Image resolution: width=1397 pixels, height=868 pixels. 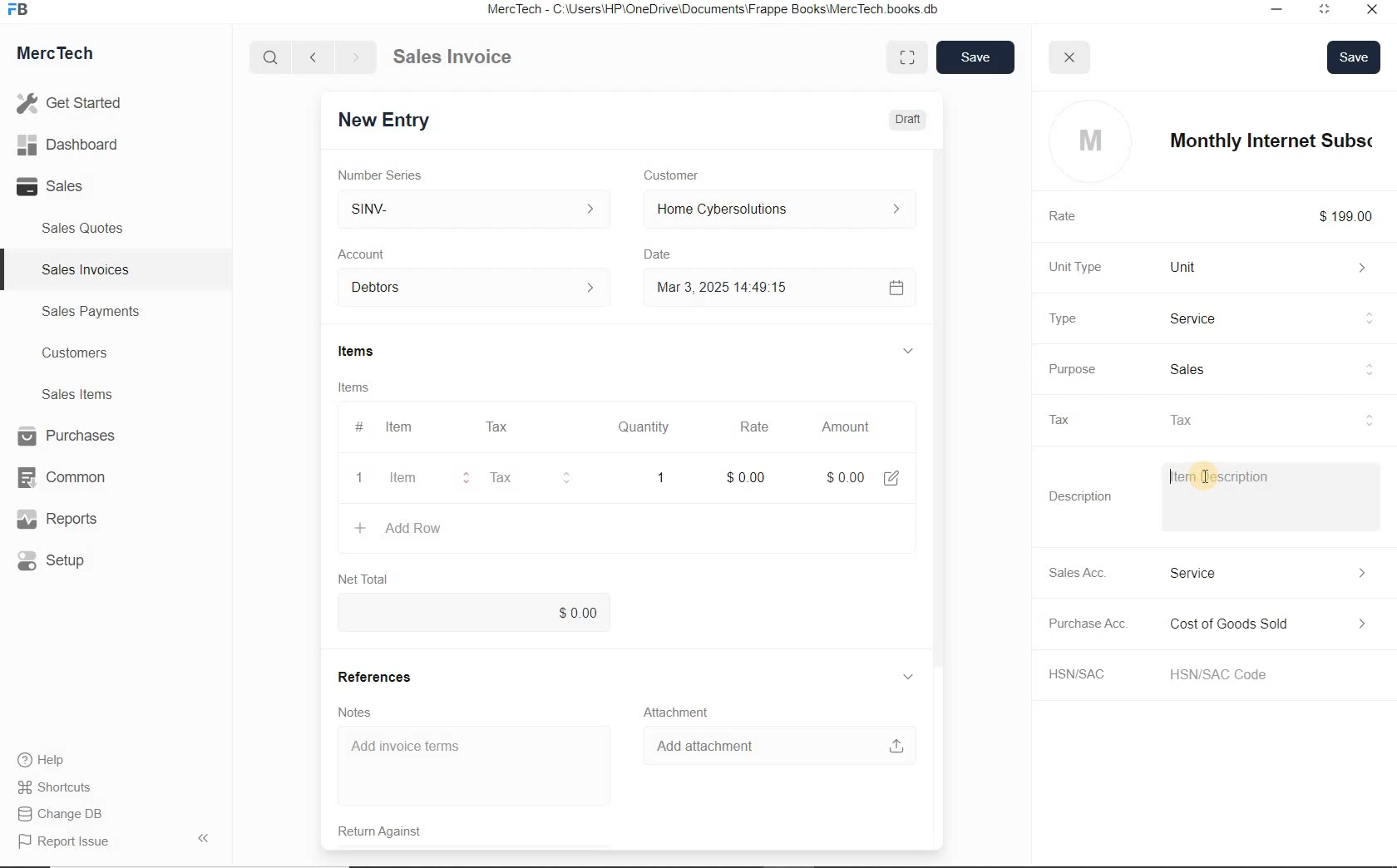 I want to click on sales, so click(x=1267, y=367).